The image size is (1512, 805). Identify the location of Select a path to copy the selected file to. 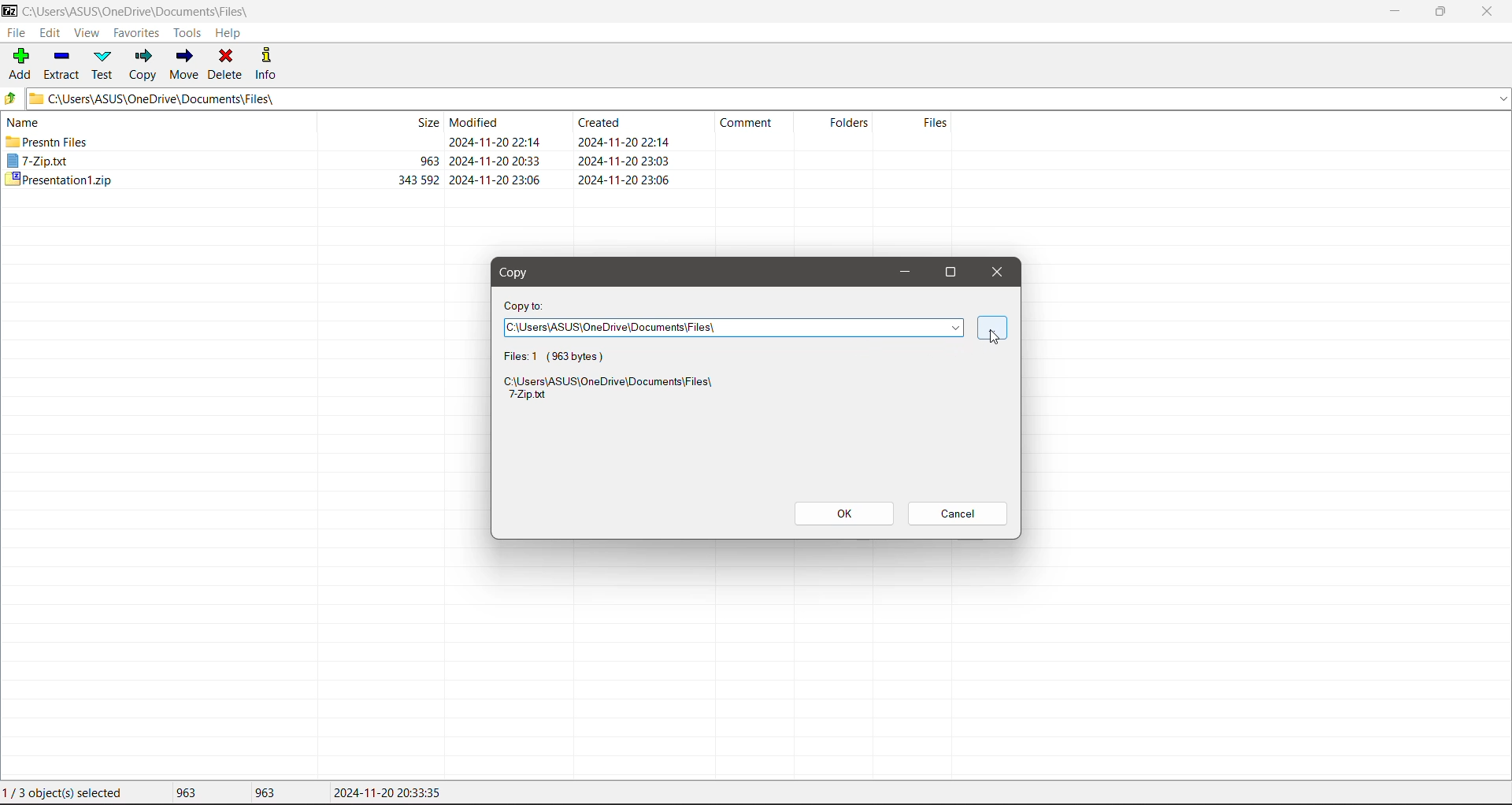
(735, 328).